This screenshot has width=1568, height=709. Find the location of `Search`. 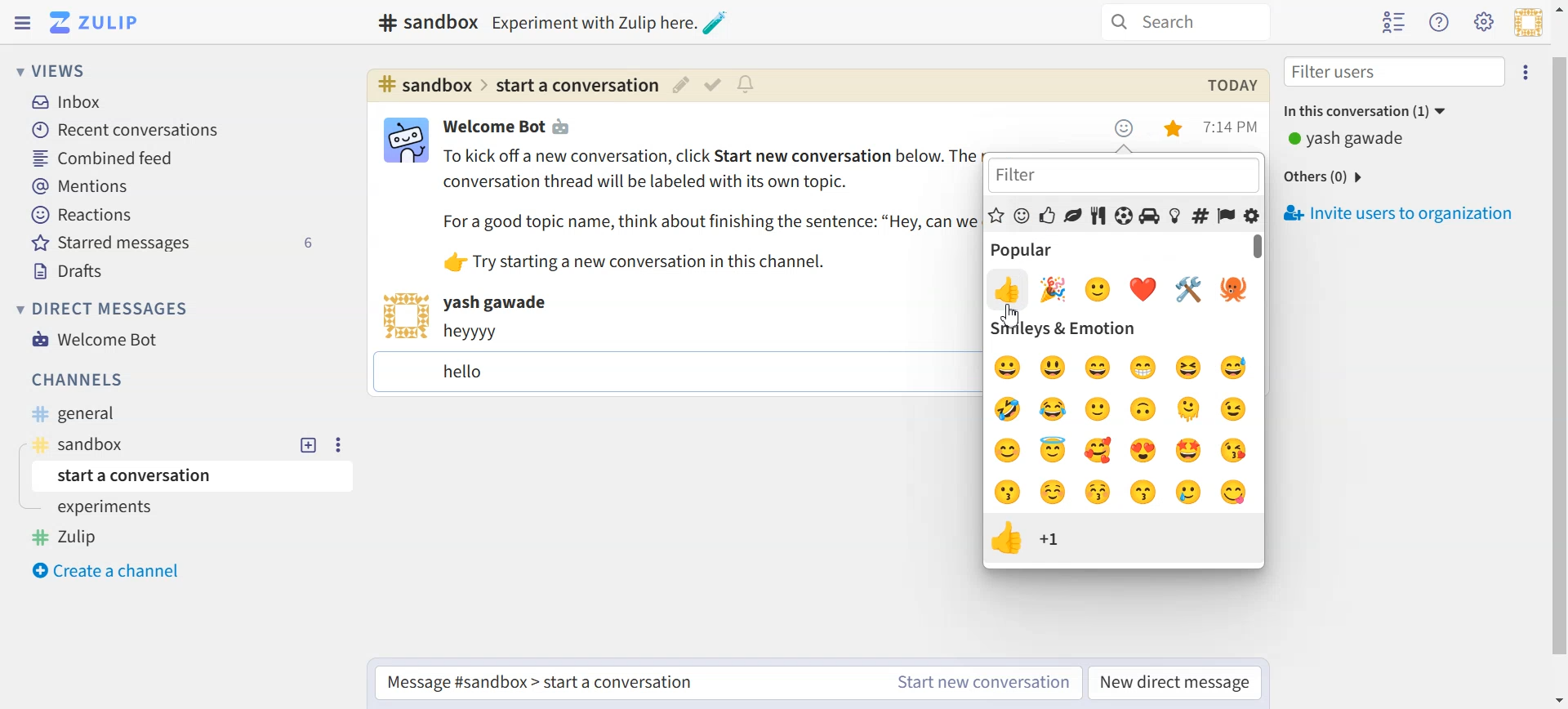

Search is located at coordinates (1186, 22).